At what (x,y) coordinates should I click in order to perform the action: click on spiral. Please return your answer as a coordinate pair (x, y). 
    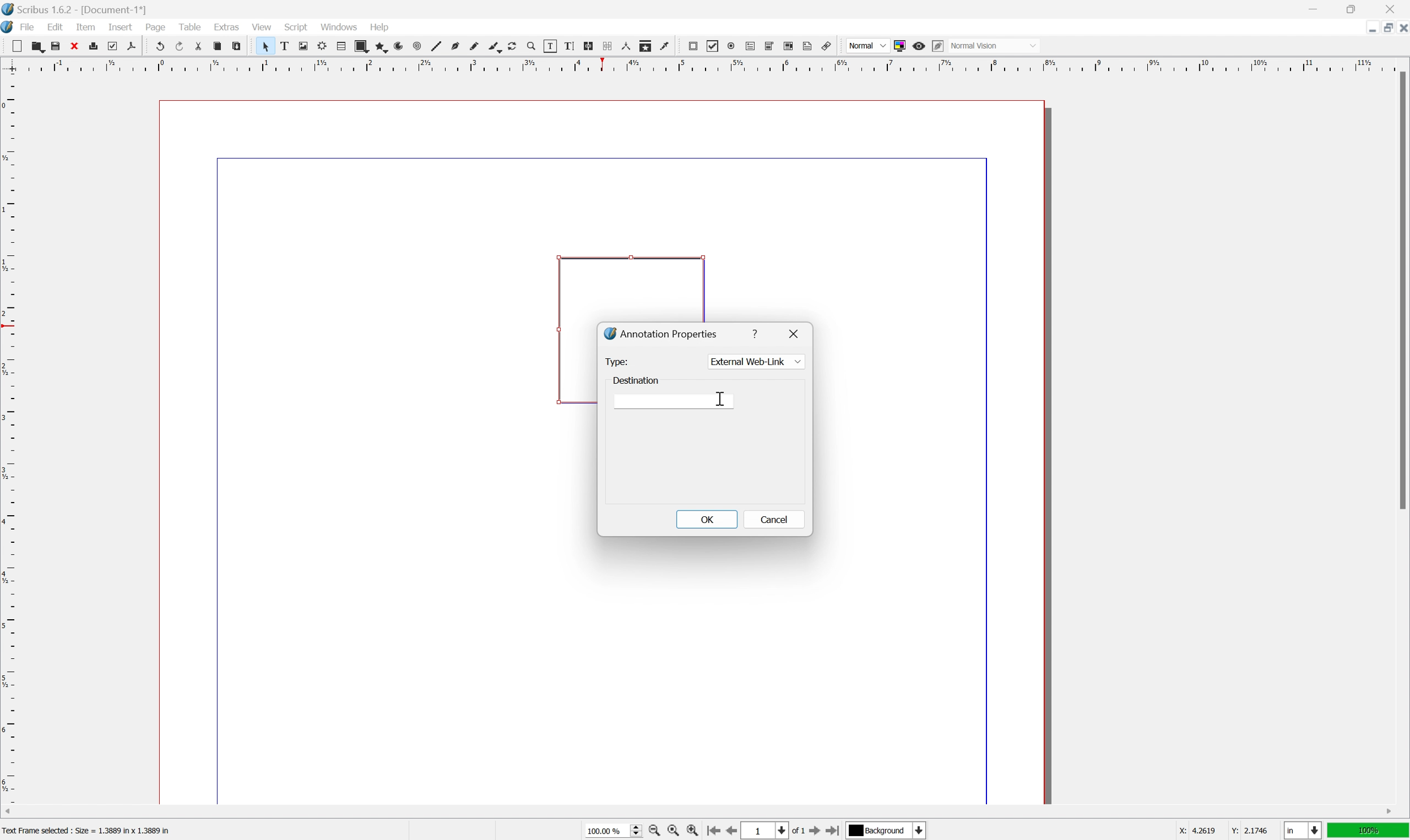
    Looking at the image, I should click on (418, 46).